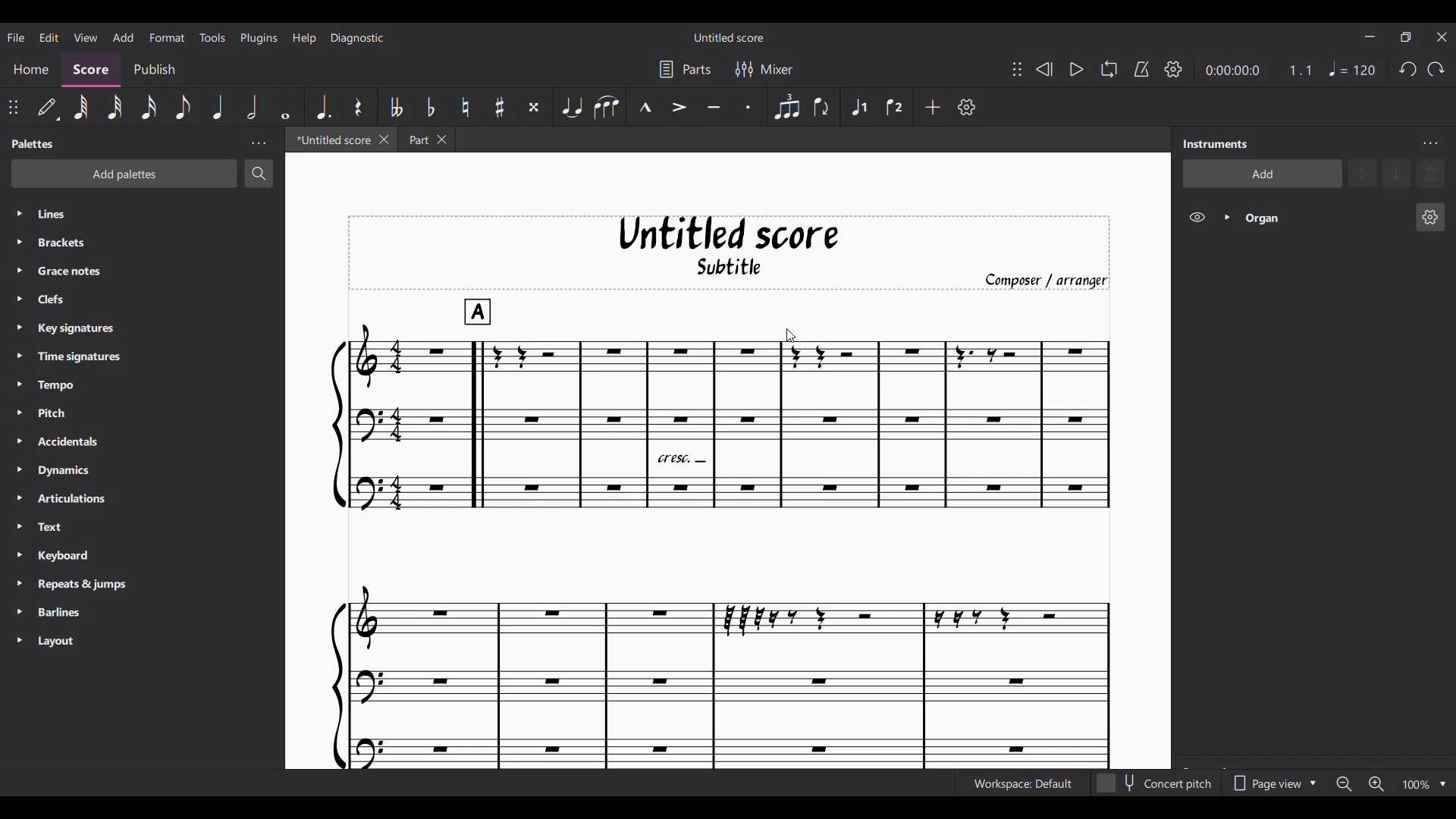 The image size is (1456, 819). Describe the element at coordinates (1406, 37) in the screenshot. I see `Show interface in smaller tab` at that location.